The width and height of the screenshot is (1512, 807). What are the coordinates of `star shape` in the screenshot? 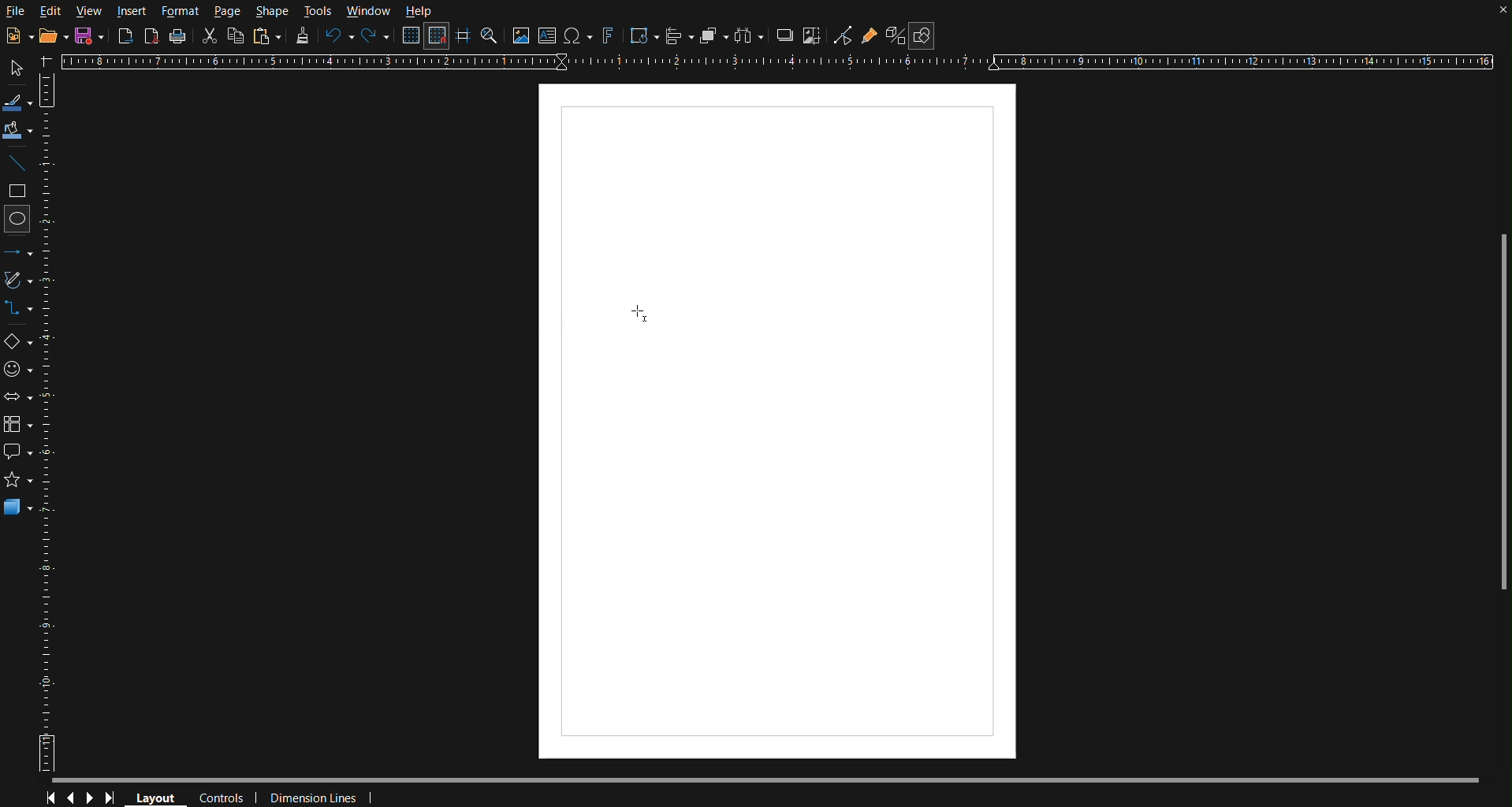 It's located at (20, 478).